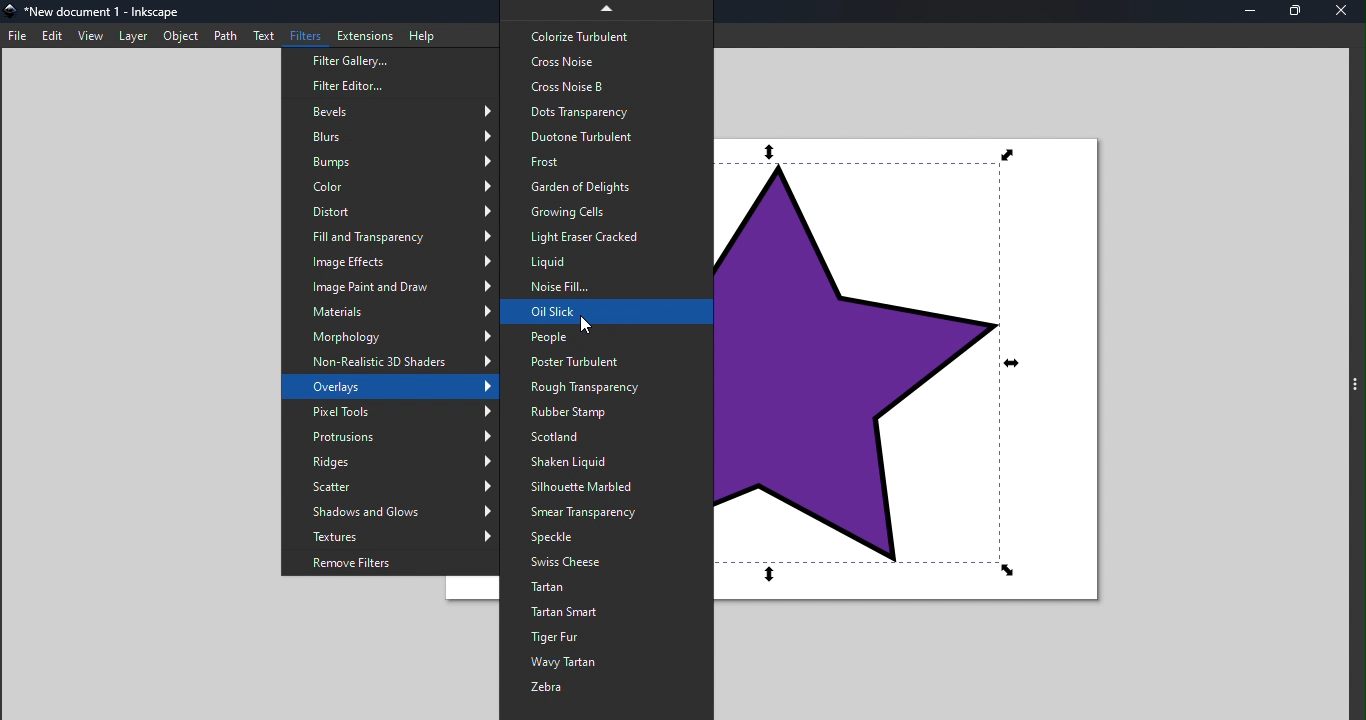  What do you see at coordinates (391, 313) in the screenshot?
I see `Materials` at bounding box center [391, 313].